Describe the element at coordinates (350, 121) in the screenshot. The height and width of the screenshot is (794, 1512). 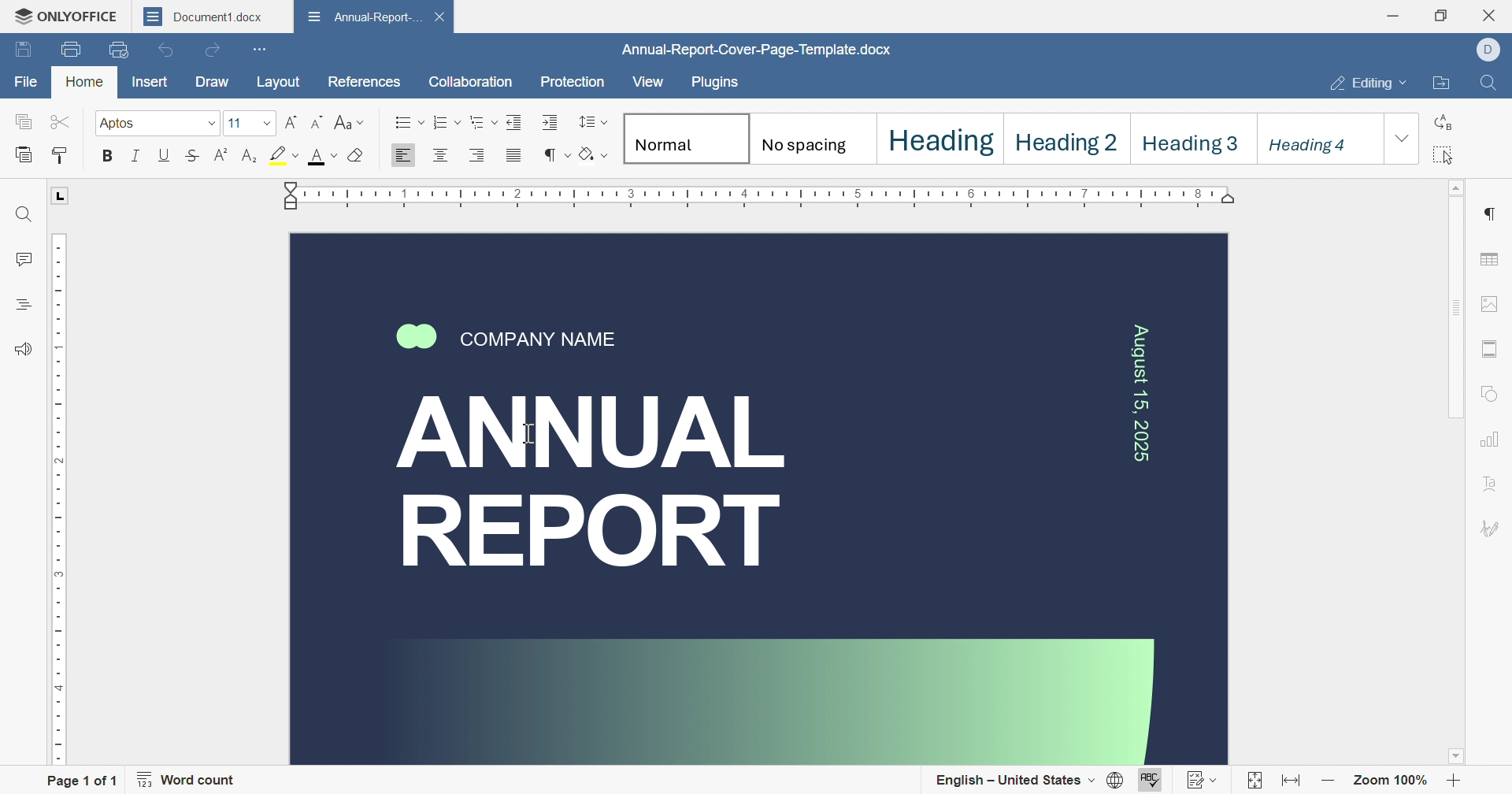
I see `change case` at that location.